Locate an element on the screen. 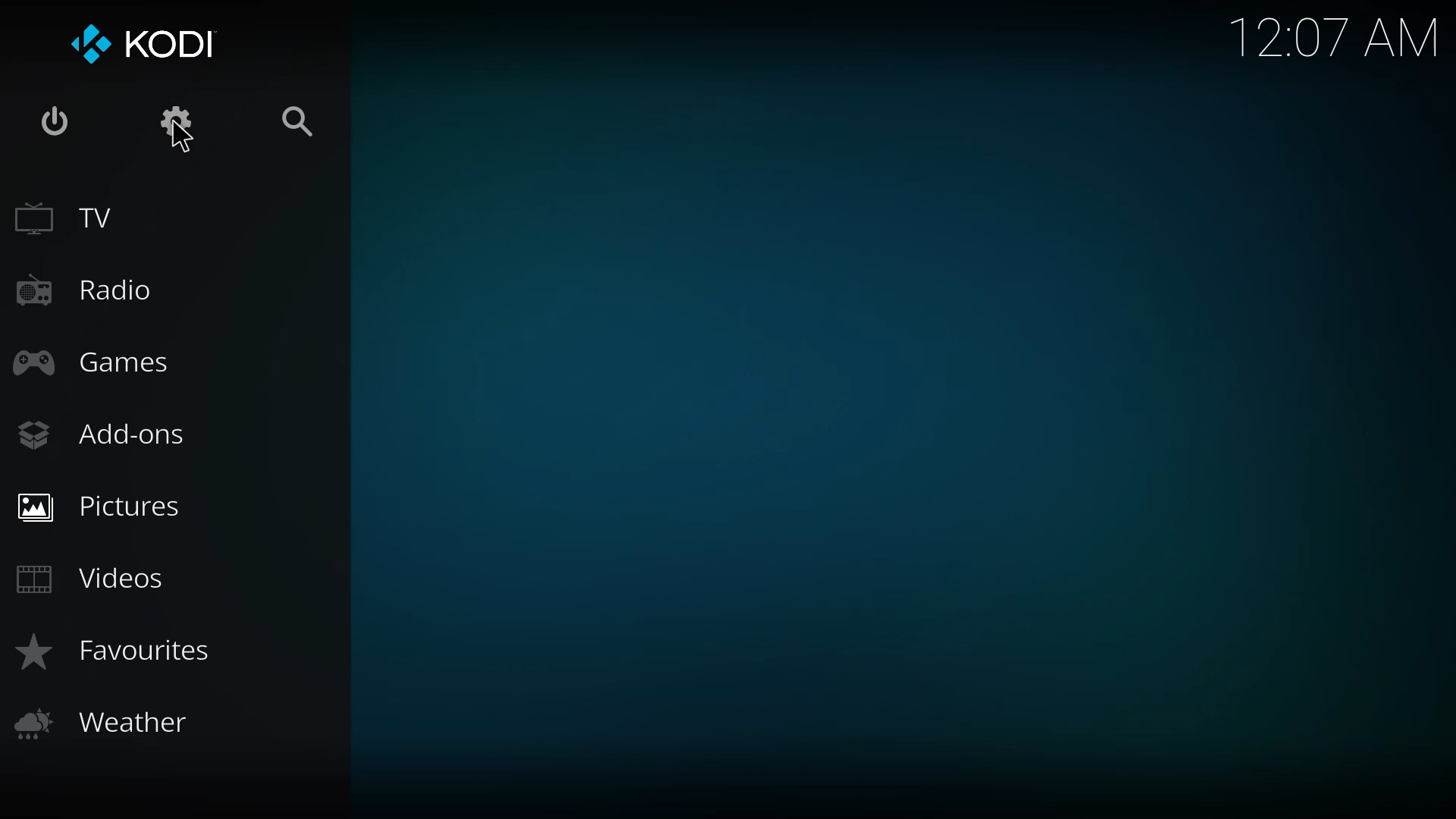 This screenshot has height=819, width=1456. radio is located at coordinates (89, 293).